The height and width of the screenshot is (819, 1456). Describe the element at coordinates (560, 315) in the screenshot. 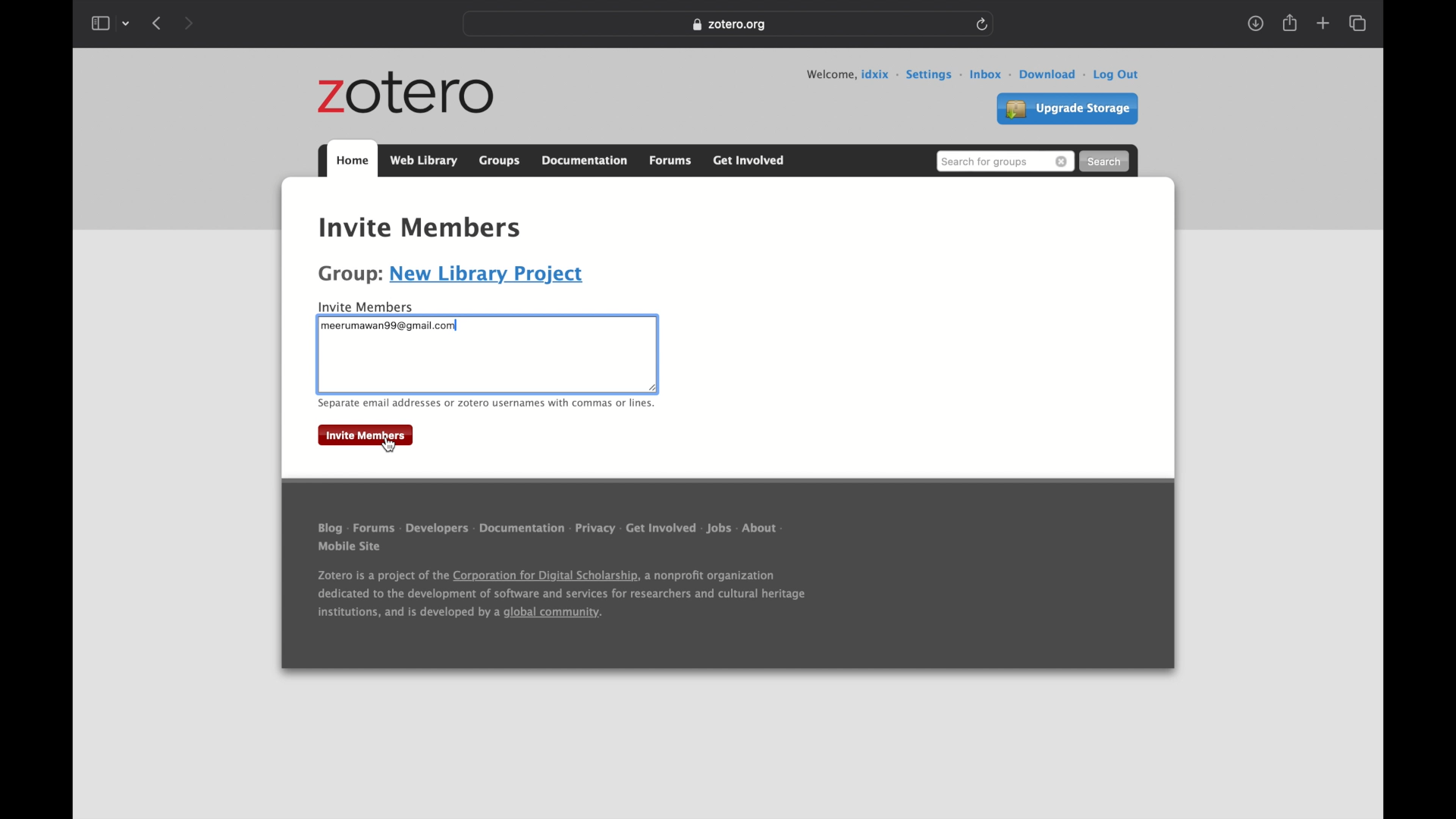

I see `textbox highlight boundary` at that location.